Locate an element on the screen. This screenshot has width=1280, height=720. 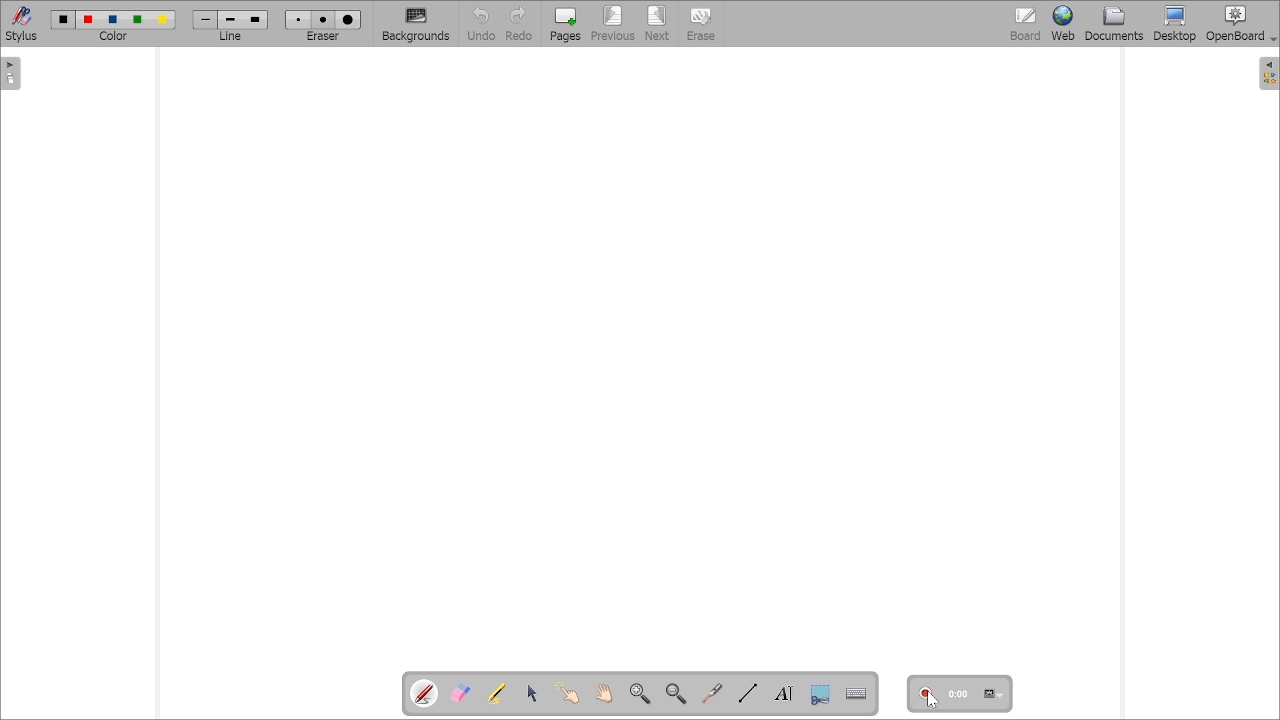
Interact with items is located at coordinates (566, 693).